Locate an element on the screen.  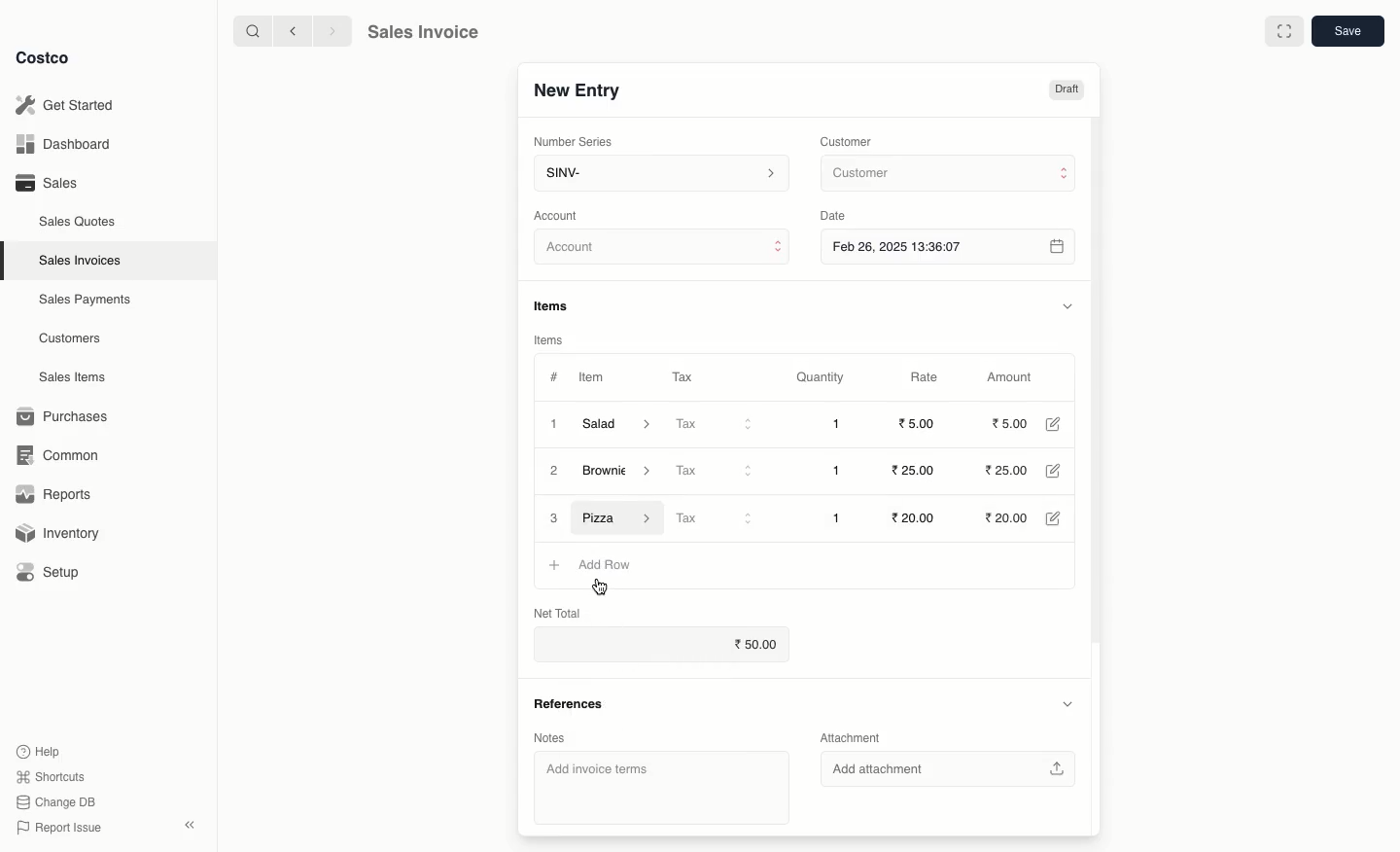
Search is located at coordinates (250, 30).